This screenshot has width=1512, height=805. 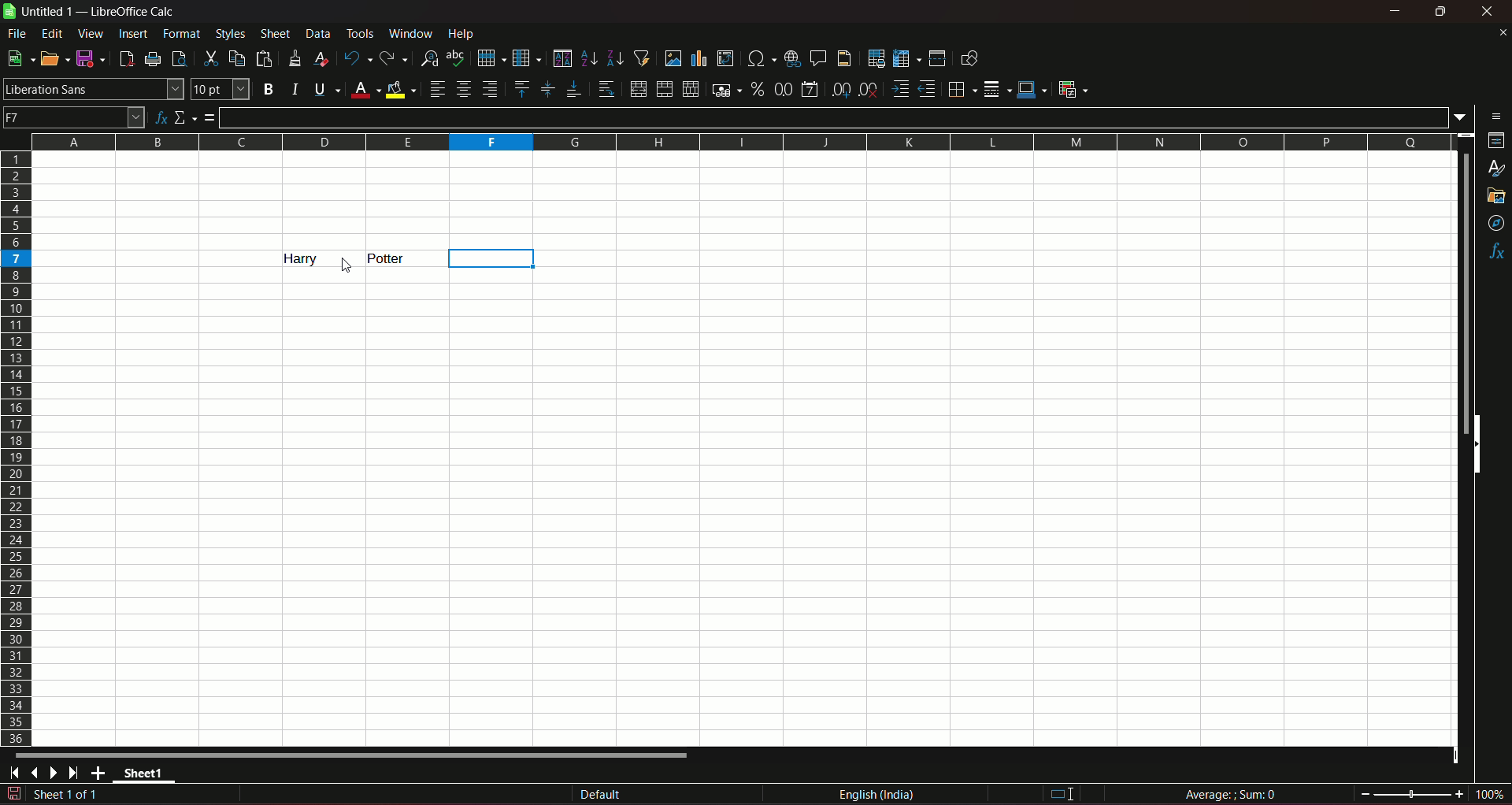 I want to click on open, so click(x=51, y=58).